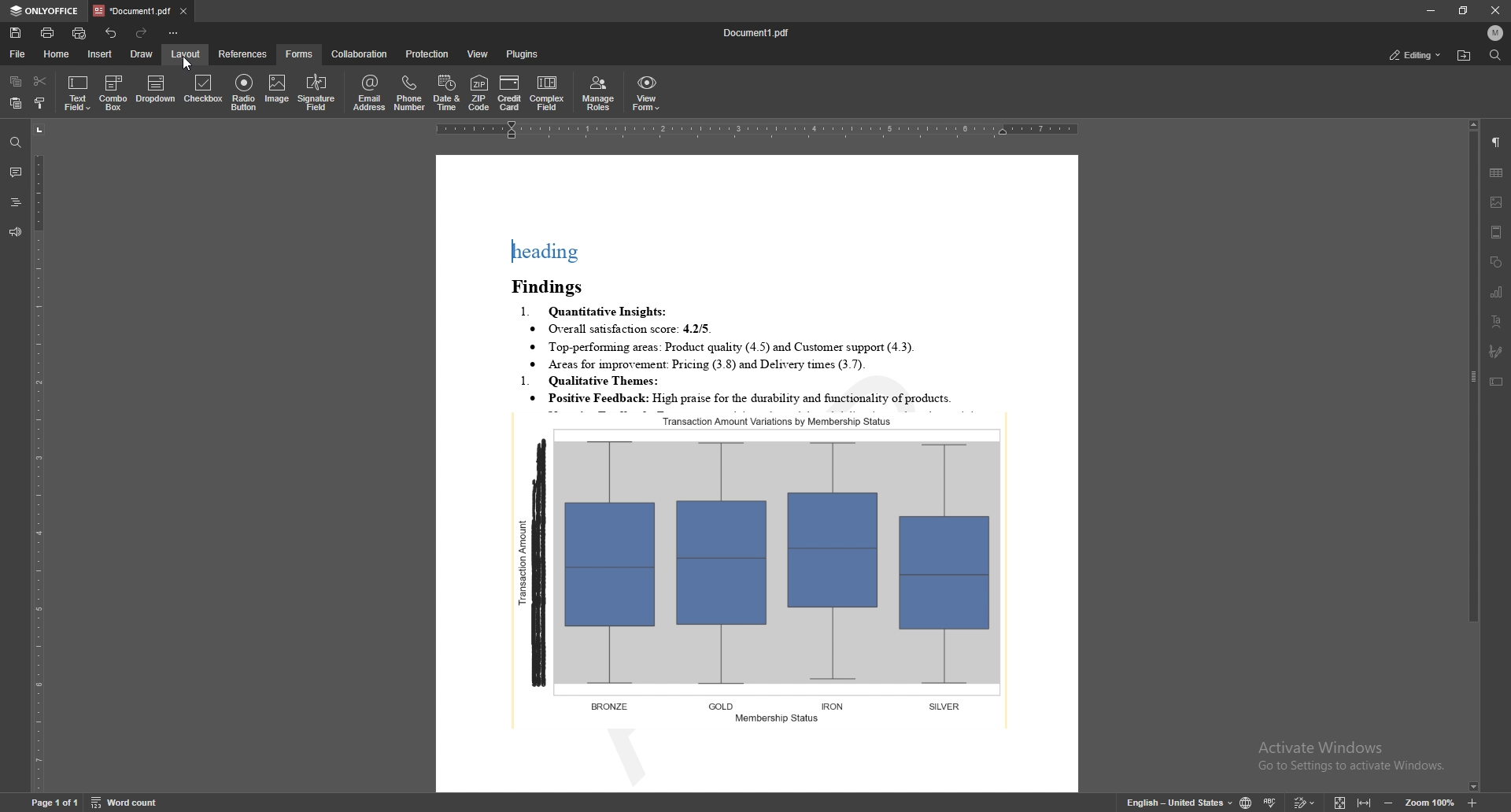 The height and width of the screenshot is (812, 1511). What do you see at coordinates (1498, 202) in the screenshot?
I see `image` at bounding box center [1498, 202].